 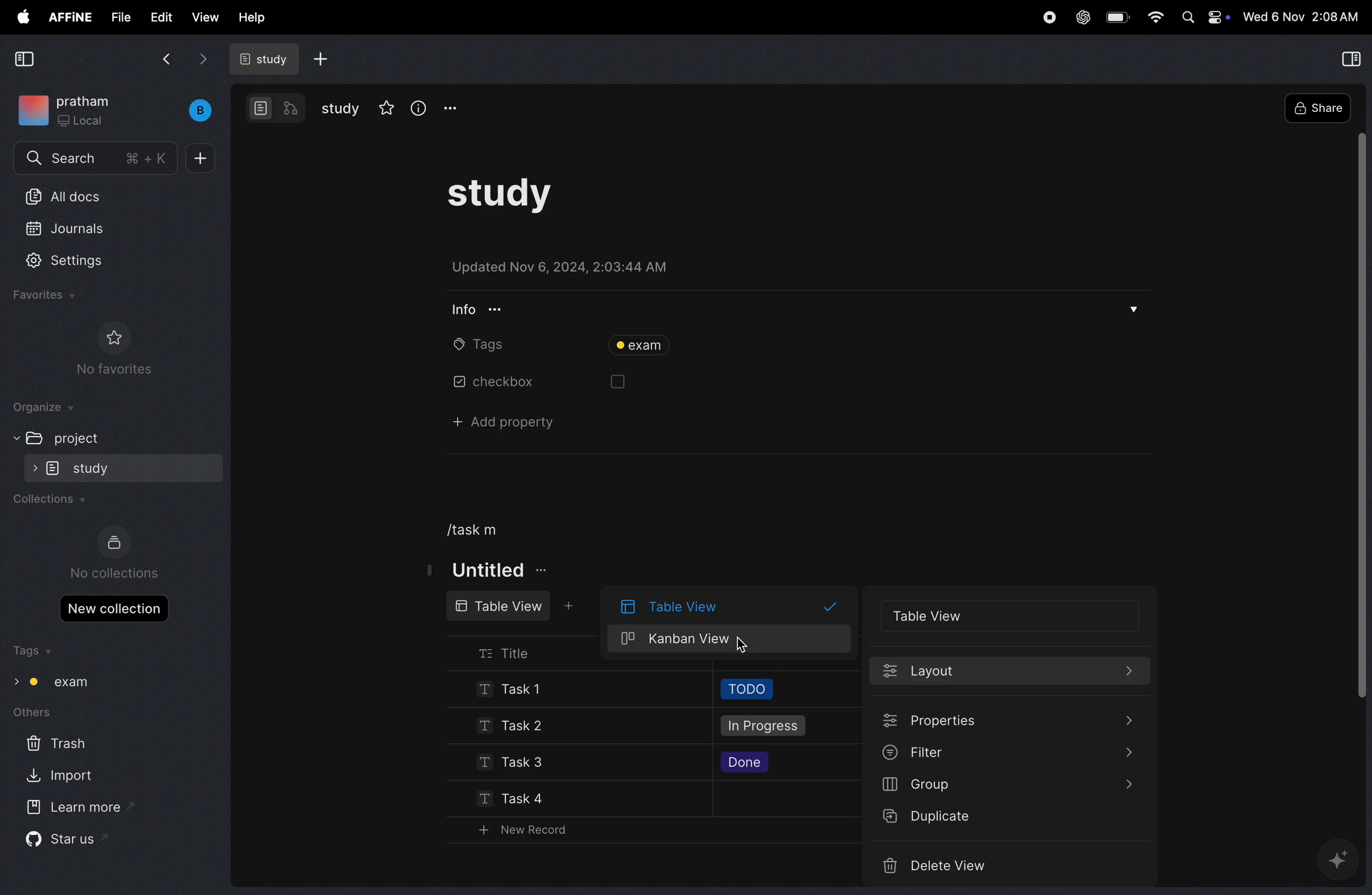 What do you see at coordinates (730, 603) in the screenshot?
I see `table view` at bounding box center [730, 603].